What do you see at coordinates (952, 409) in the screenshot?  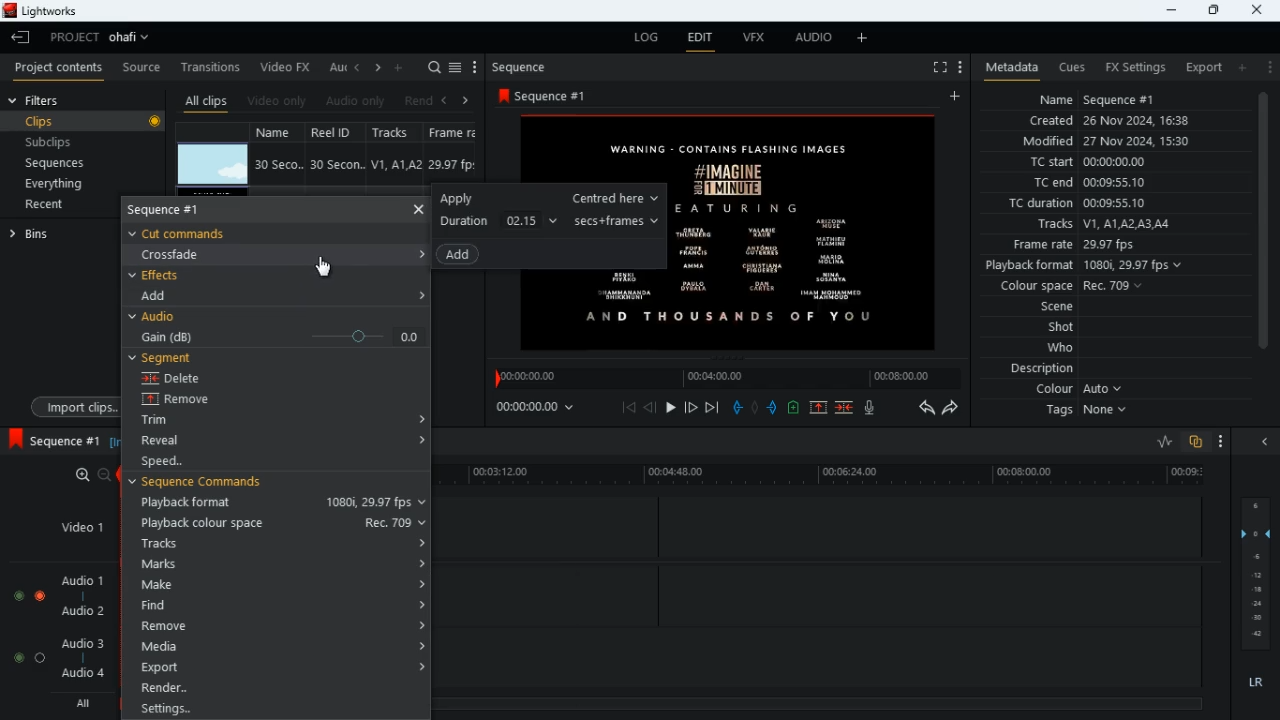 I see `forward` at bounding box center [952, 409].